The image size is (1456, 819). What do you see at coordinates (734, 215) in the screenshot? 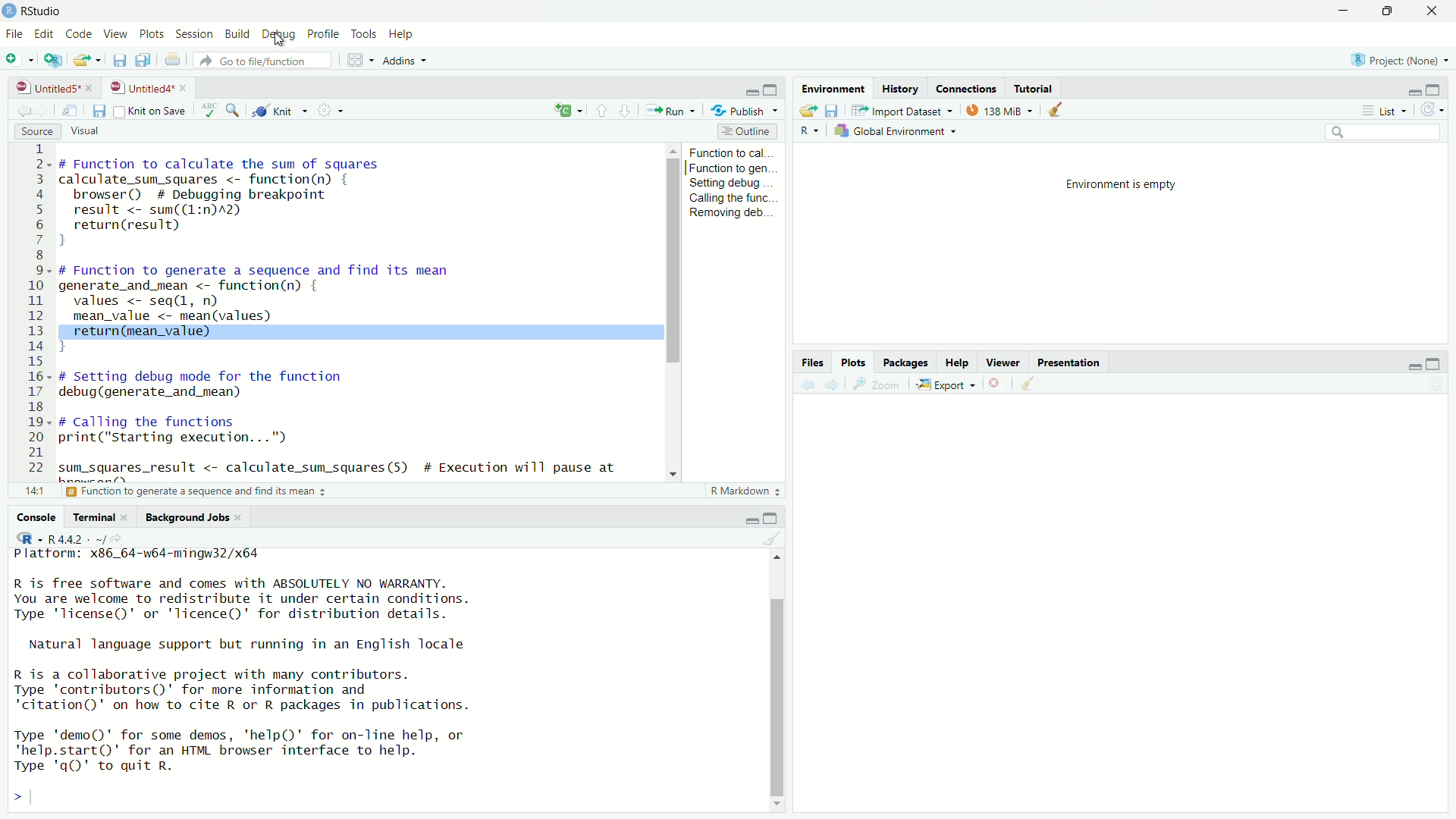
I see `Removing deb...` at bounding box center [734, 215].